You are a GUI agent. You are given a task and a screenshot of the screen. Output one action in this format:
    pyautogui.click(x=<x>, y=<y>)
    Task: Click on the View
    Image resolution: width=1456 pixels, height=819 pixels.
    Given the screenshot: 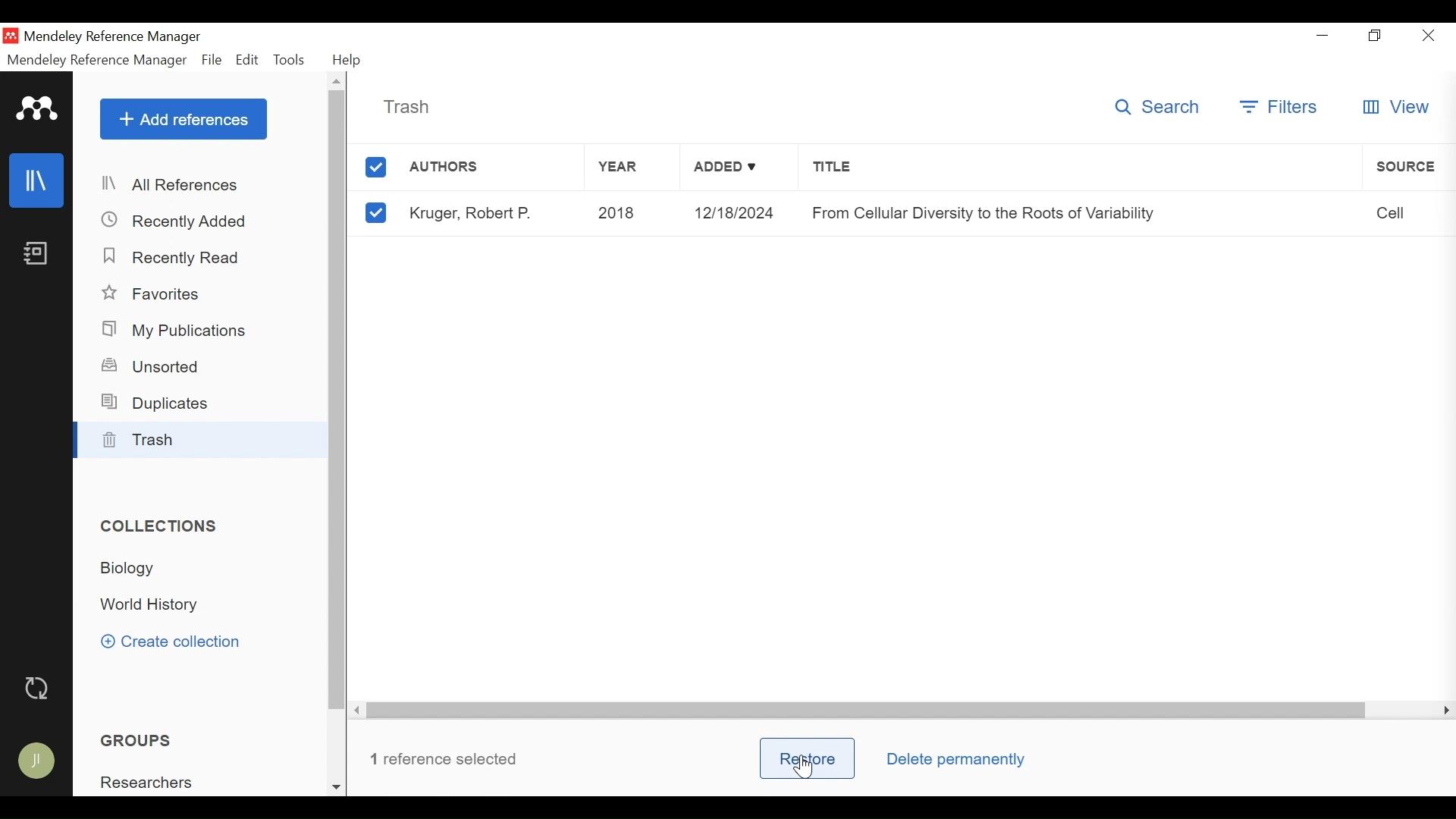 What is the action you would take?
    pyautogui.click(x=1398, y=107)
    